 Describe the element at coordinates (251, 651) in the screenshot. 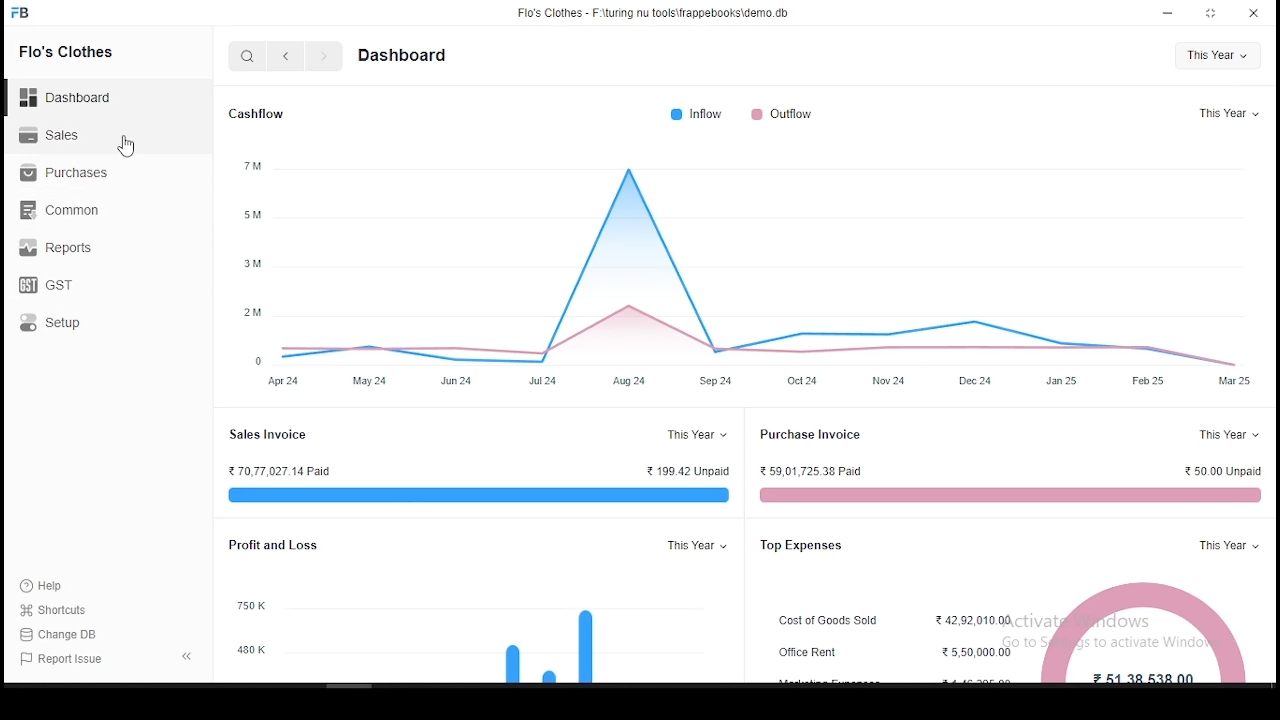

I see `480k` at that location.